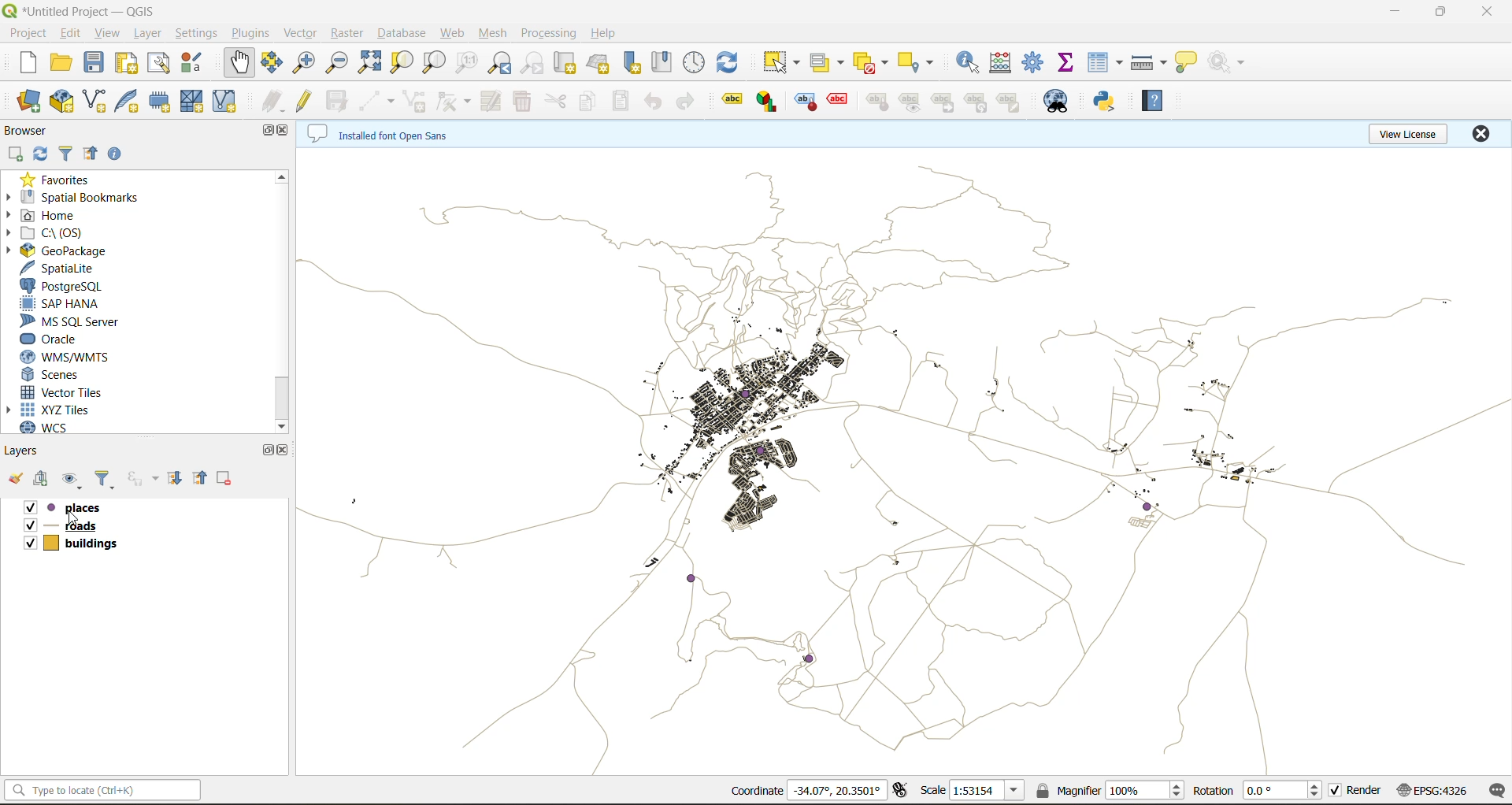 The height and width of the screenshot is (805, 1512). Describe the element at coordinates (40, 154) in the screenshot. I see `refresh` at that location.